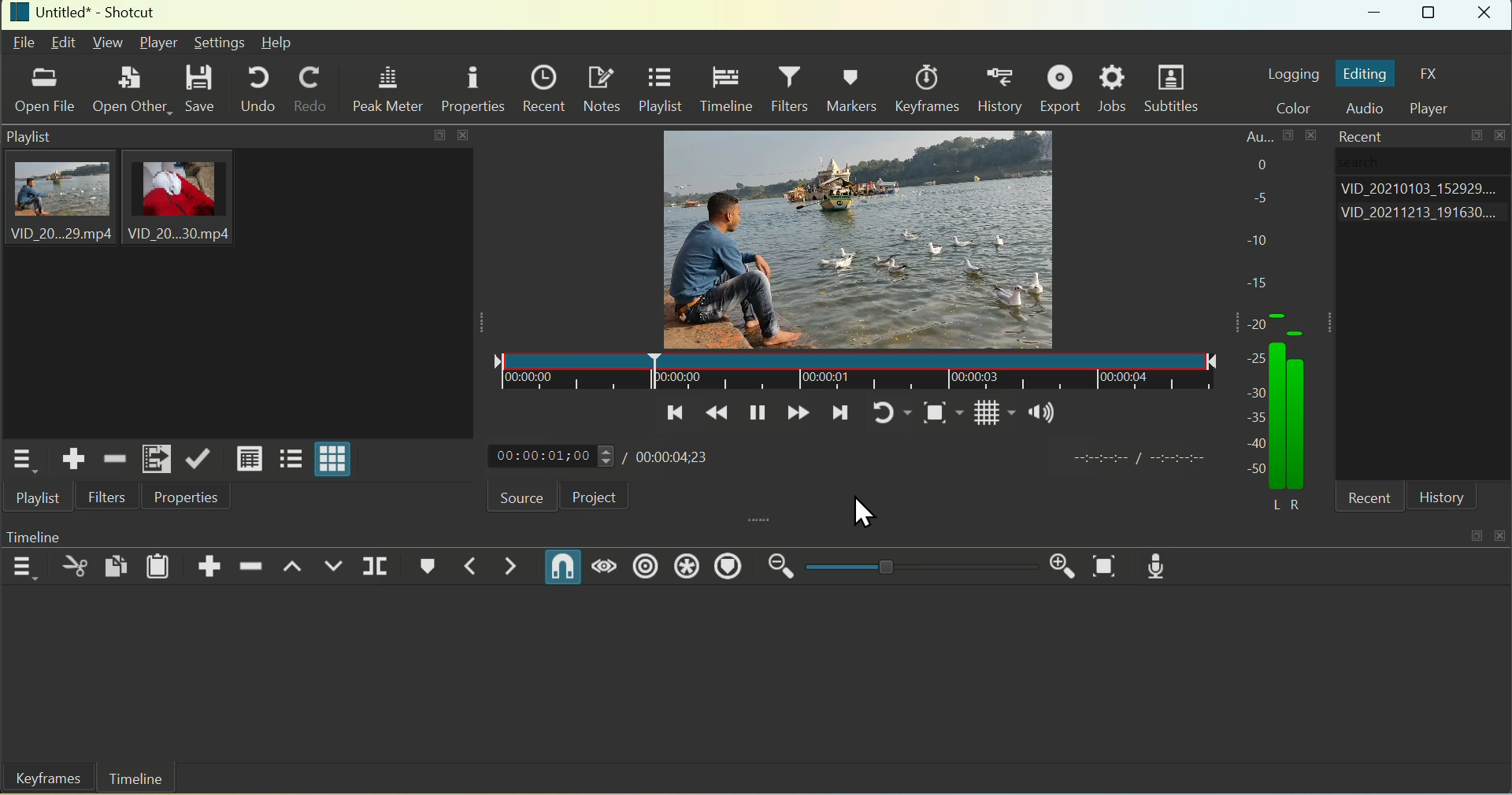 The image size is (1512, 795). I want to click on Open File, so click(46, 93).